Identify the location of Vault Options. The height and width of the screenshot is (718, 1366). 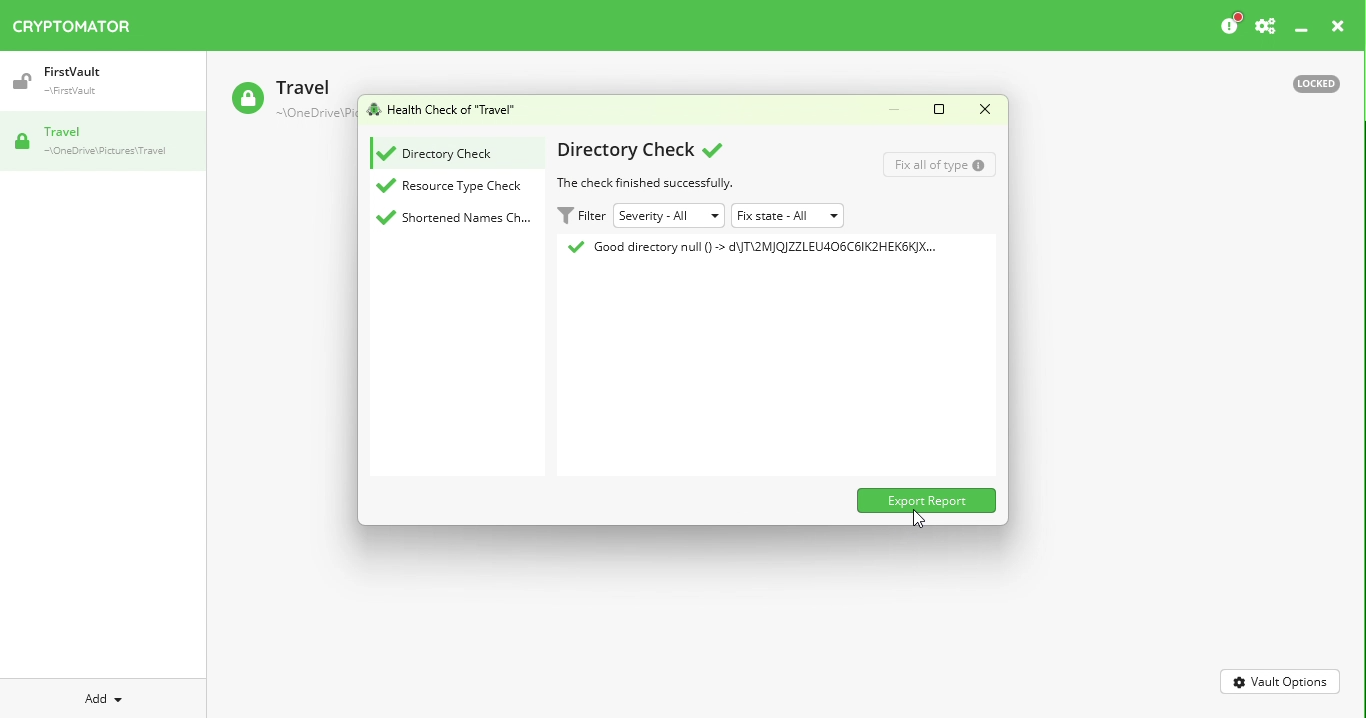
(1280, 681).